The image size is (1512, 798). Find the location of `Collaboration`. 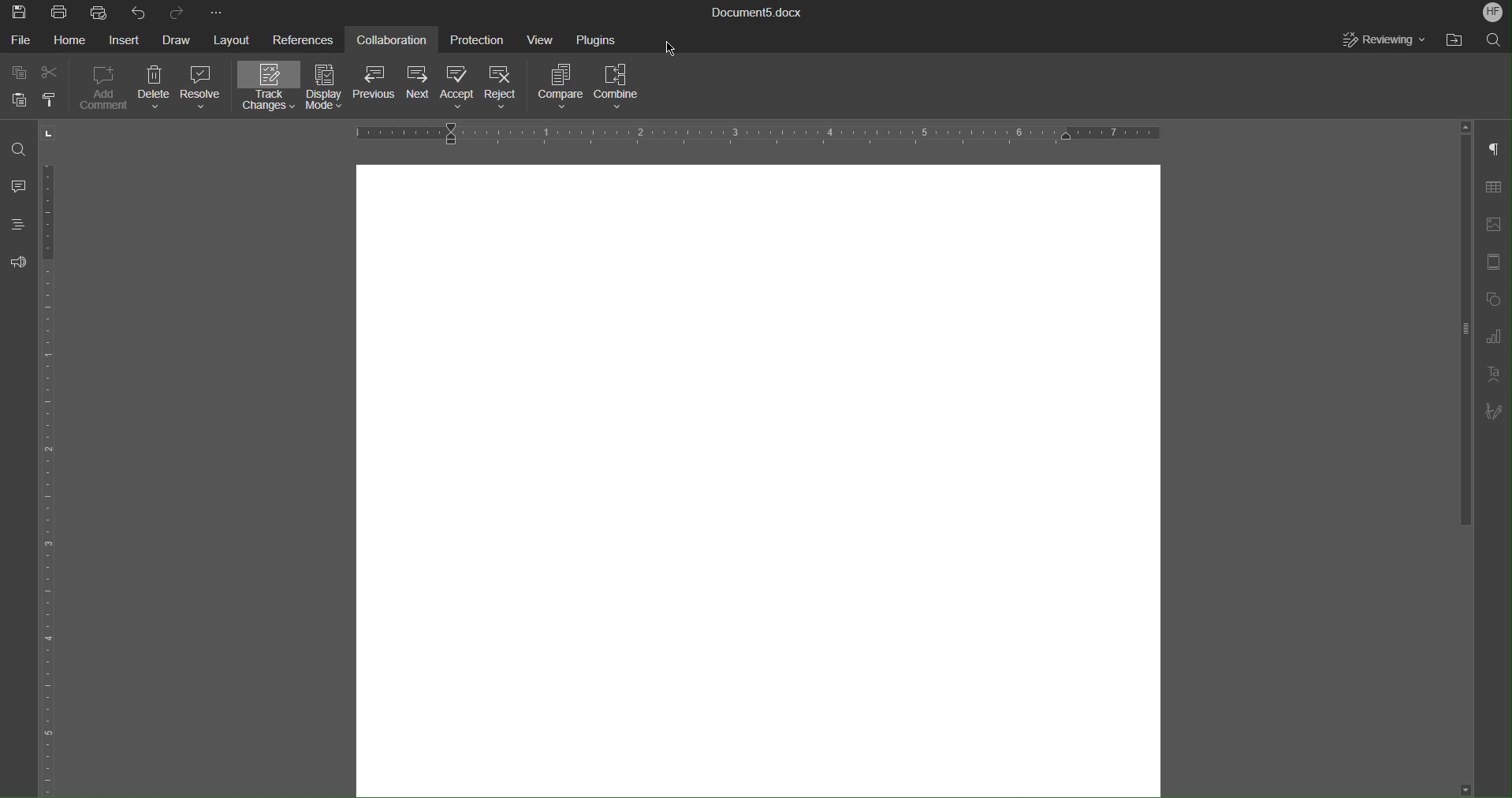

Collaboration is located at coordinates (398, 39).